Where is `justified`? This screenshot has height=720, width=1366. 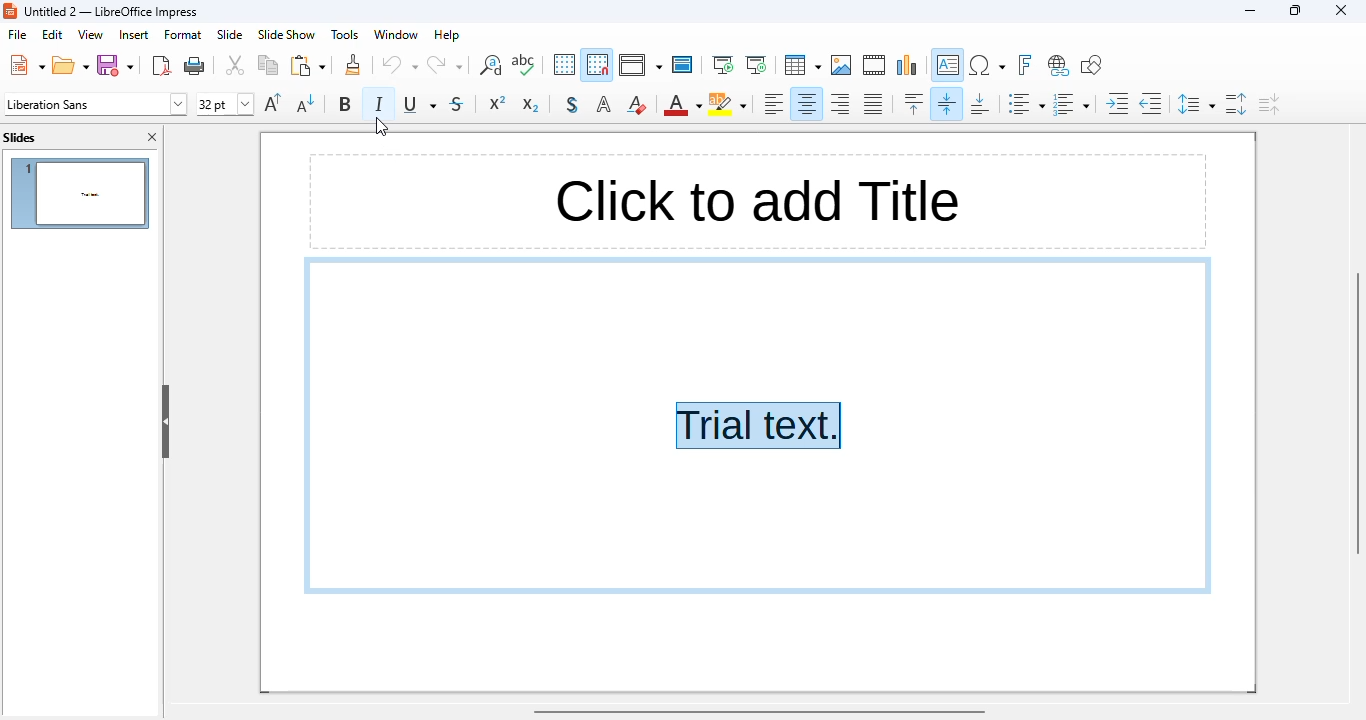
justified is located at coordinates (873, 103).